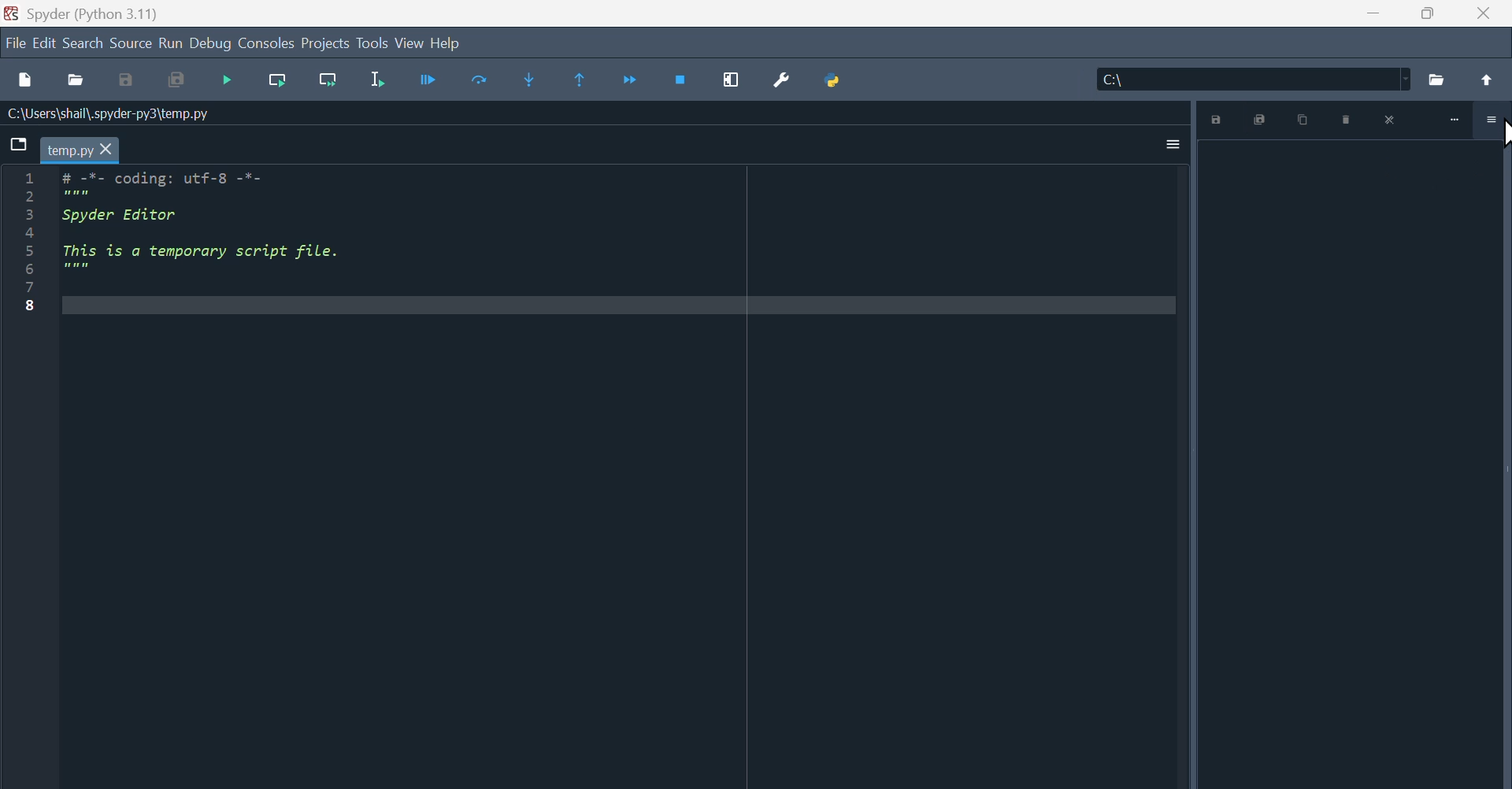 The width and height of the screenshot is (1512, 789). Describe the element at coordinates (1374, 13) in the screenshot. I see `minimise` at that location.